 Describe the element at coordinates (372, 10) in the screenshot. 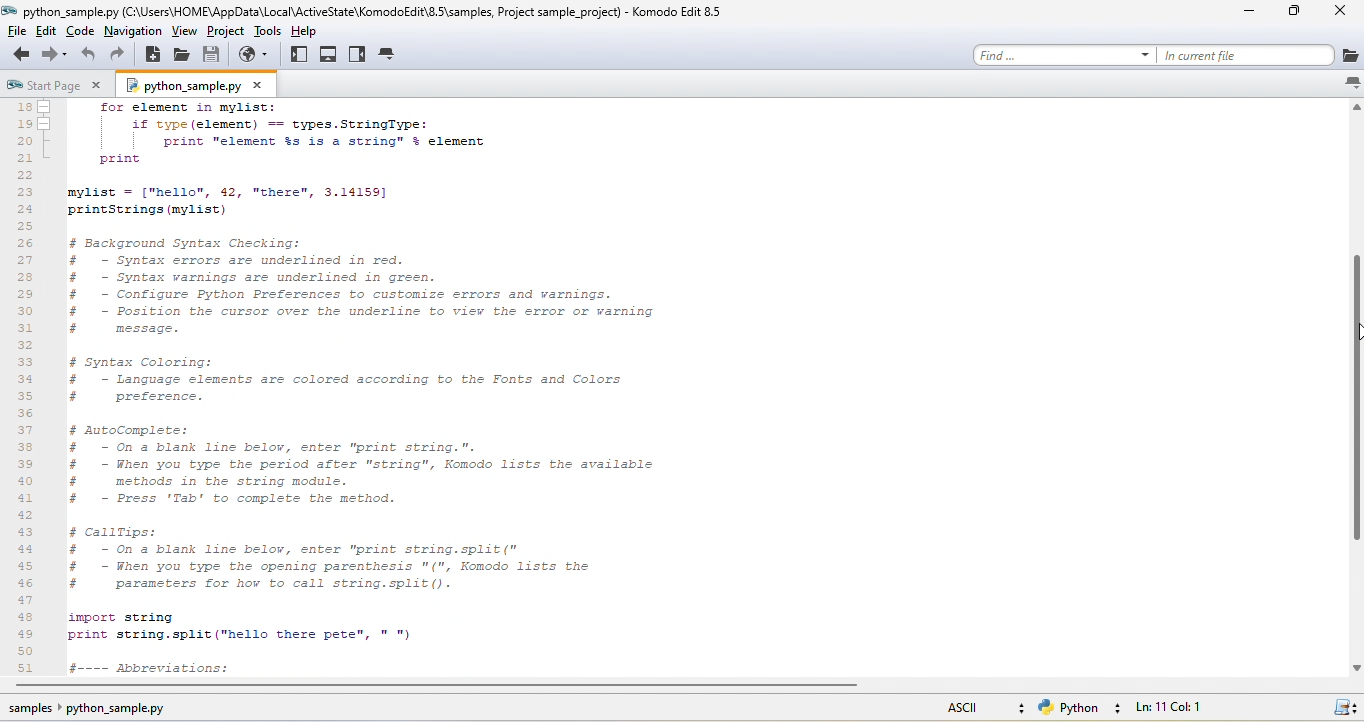

I see `file path` at that location.